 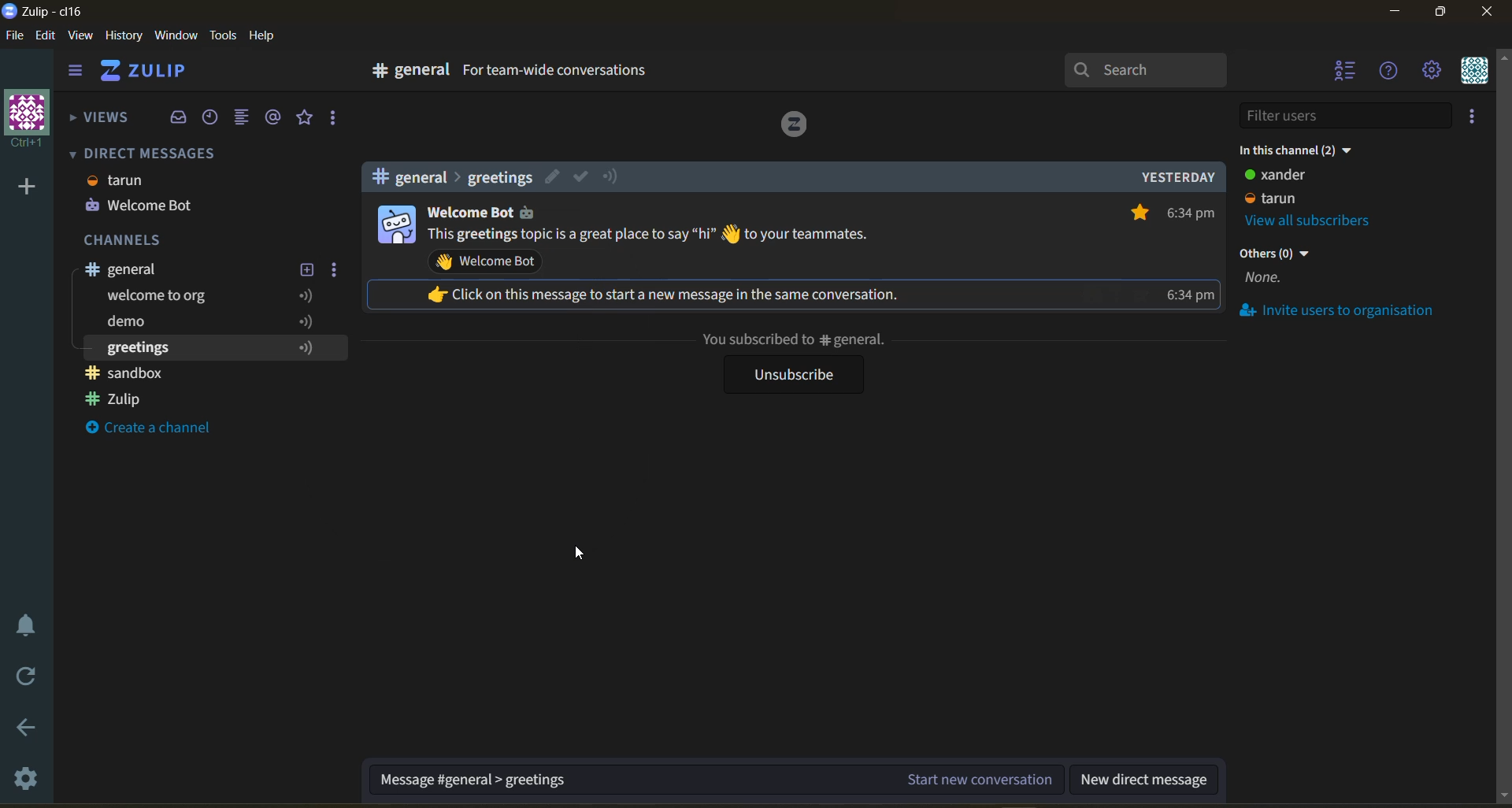 I want to click on for team-wide conversations, so click(x=558, y=72).